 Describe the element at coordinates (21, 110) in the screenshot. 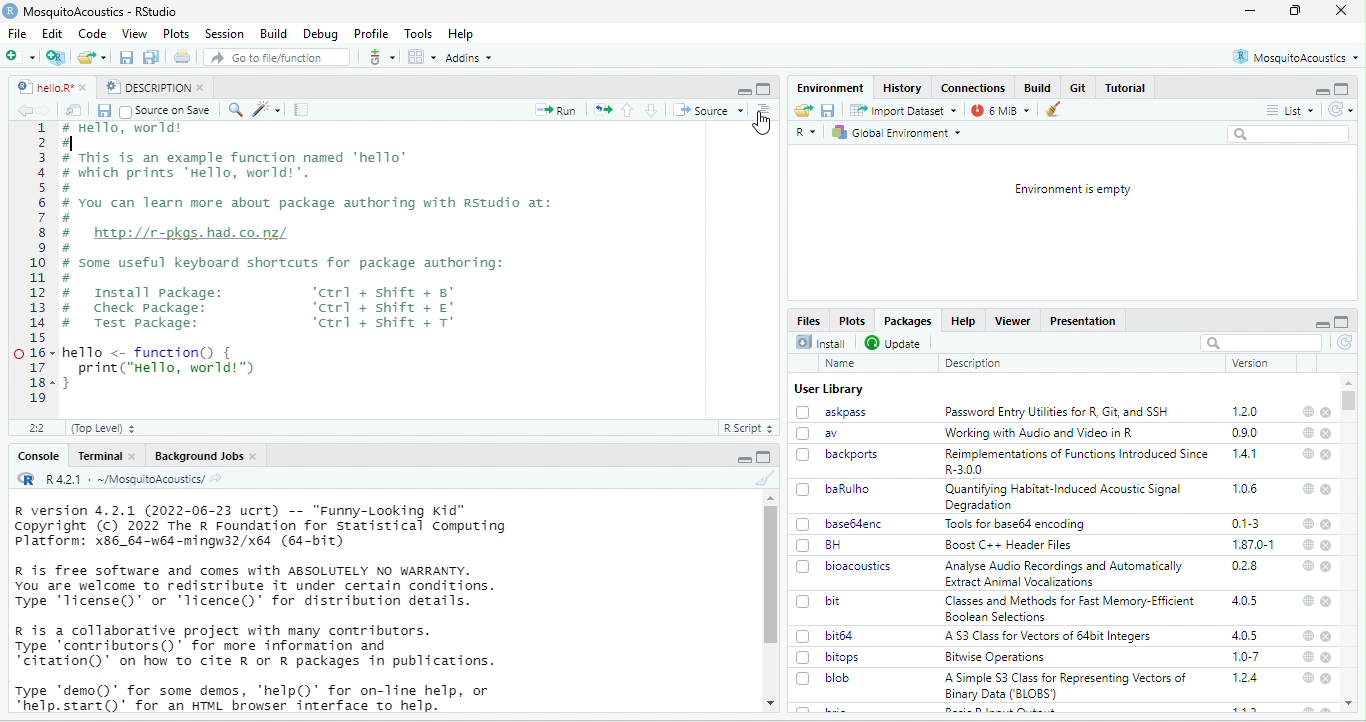

I see `backward` at that location.